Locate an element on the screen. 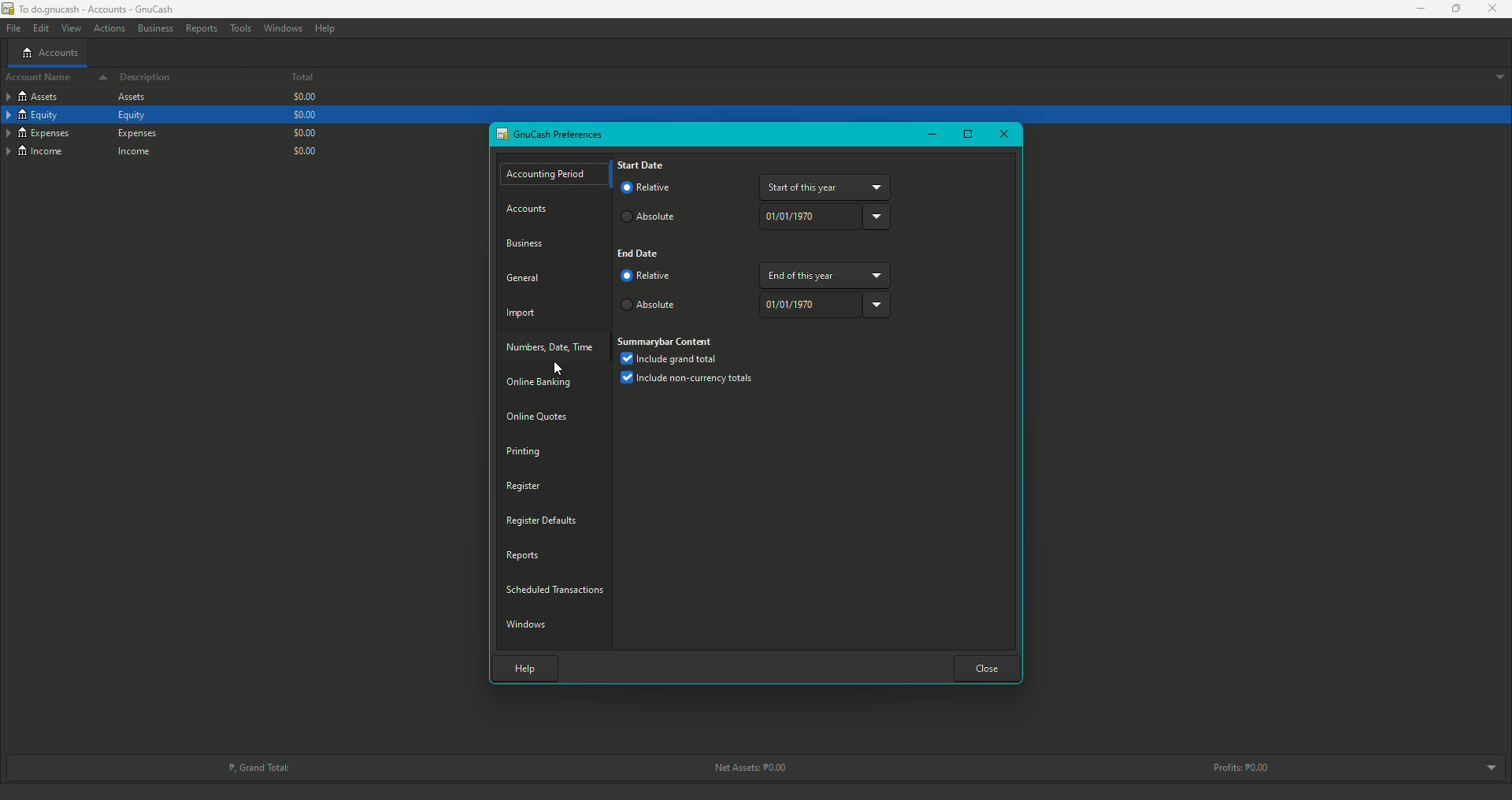 The height and width of the screenshot is (800, 1512). Summarybar is located at coordinates (666, 340).